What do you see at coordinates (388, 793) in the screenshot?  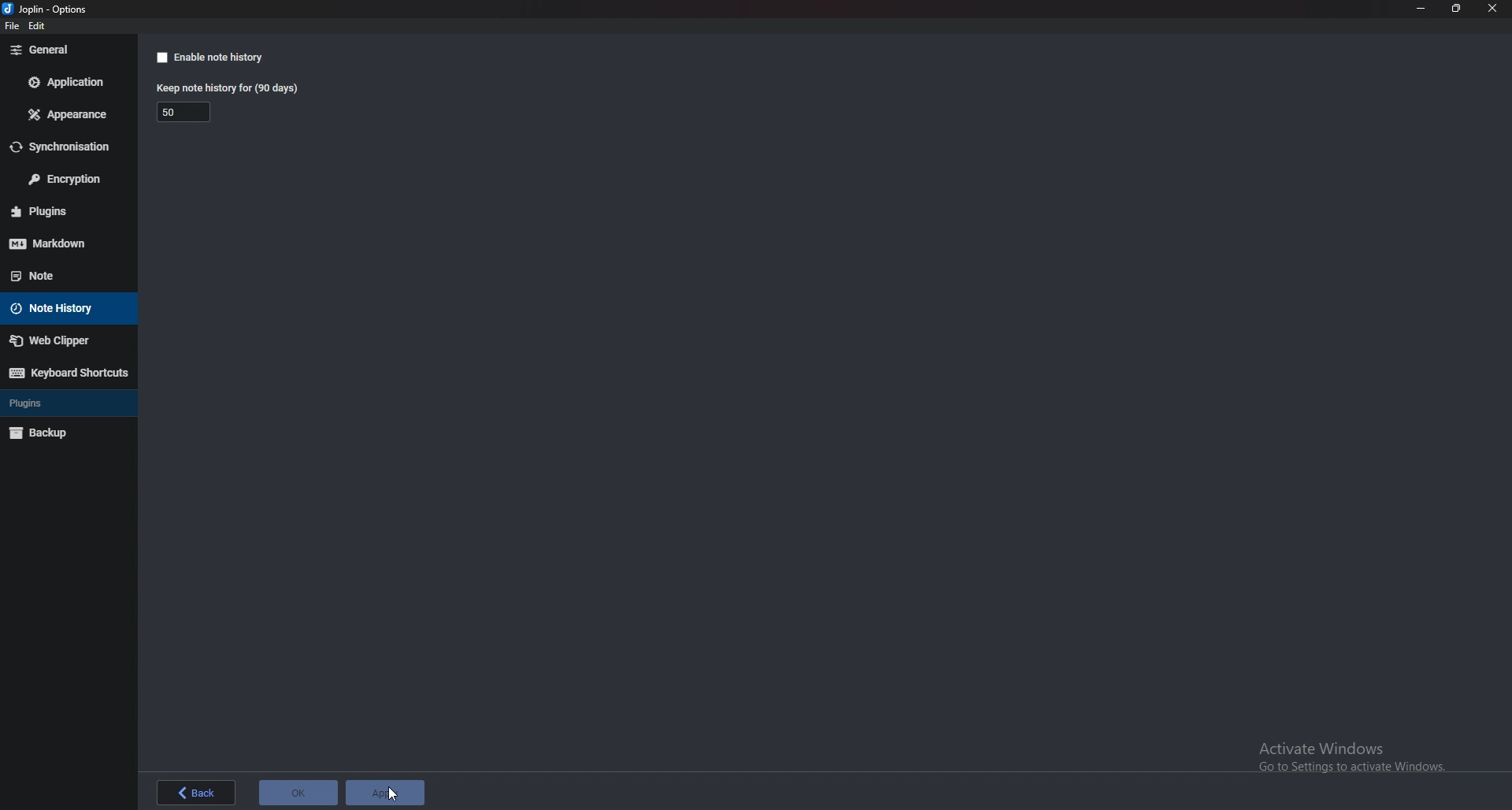 I see `apply` at bounding box center [388, 793].